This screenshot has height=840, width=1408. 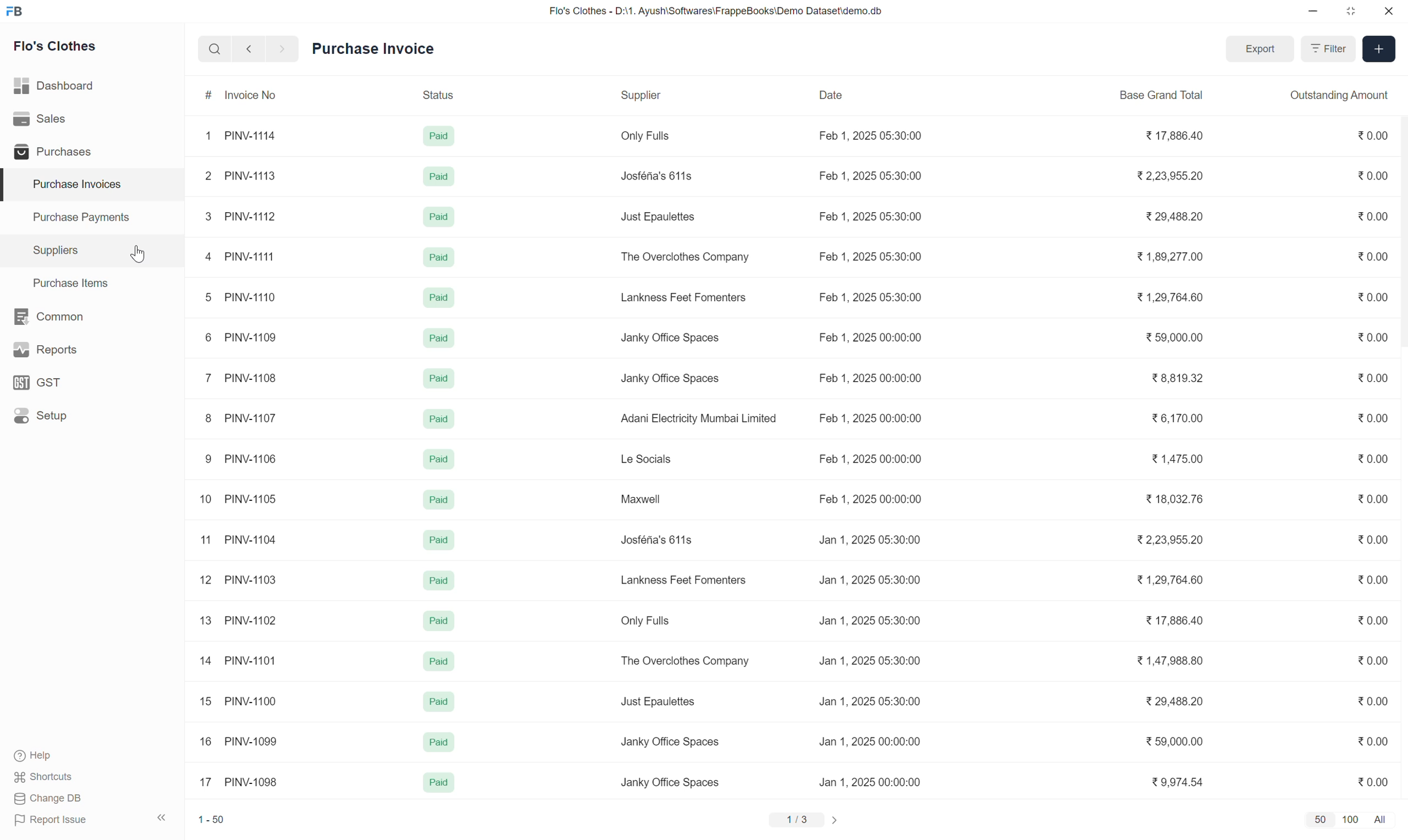 I want to click on 17,886.40, so click(x=1176, y=621).